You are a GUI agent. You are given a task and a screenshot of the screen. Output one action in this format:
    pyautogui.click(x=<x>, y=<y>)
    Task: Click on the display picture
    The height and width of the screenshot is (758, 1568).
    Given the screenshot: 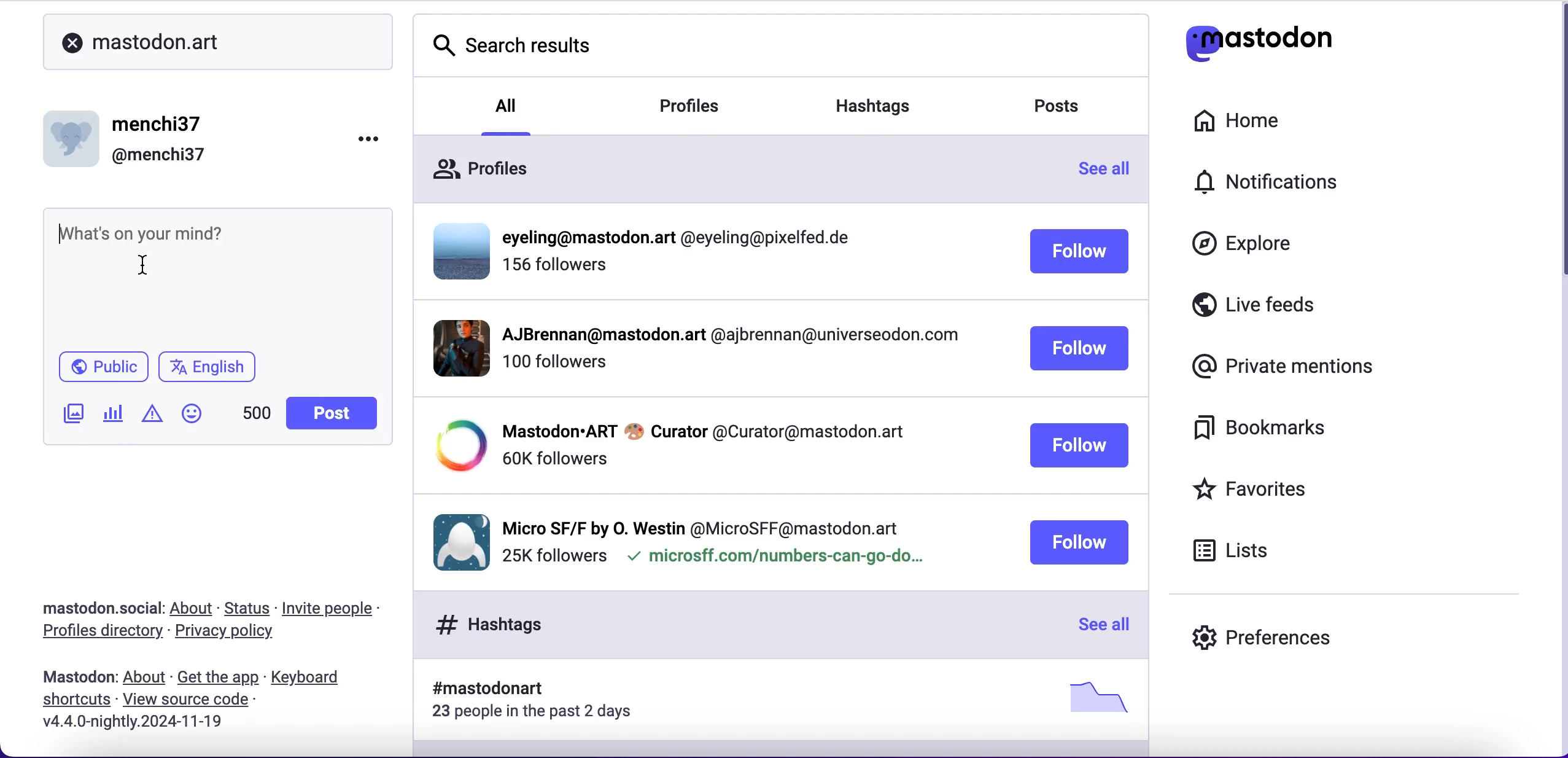 What is the action you would take?
    pyautogui.click(x=451, y=347)
    